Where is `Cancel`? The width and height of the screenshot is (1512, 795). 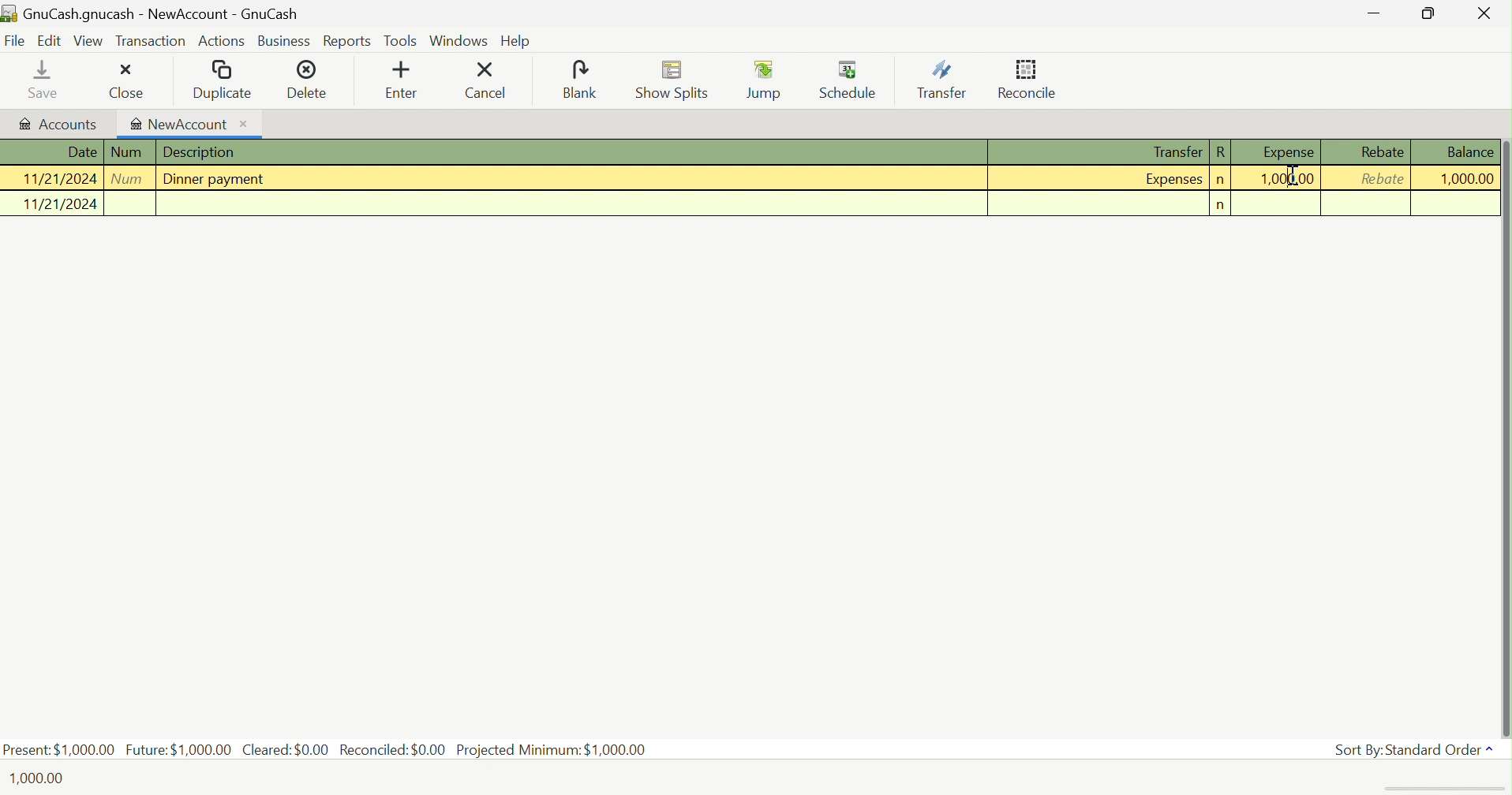 Cancel is located at coordinates (490, 80).